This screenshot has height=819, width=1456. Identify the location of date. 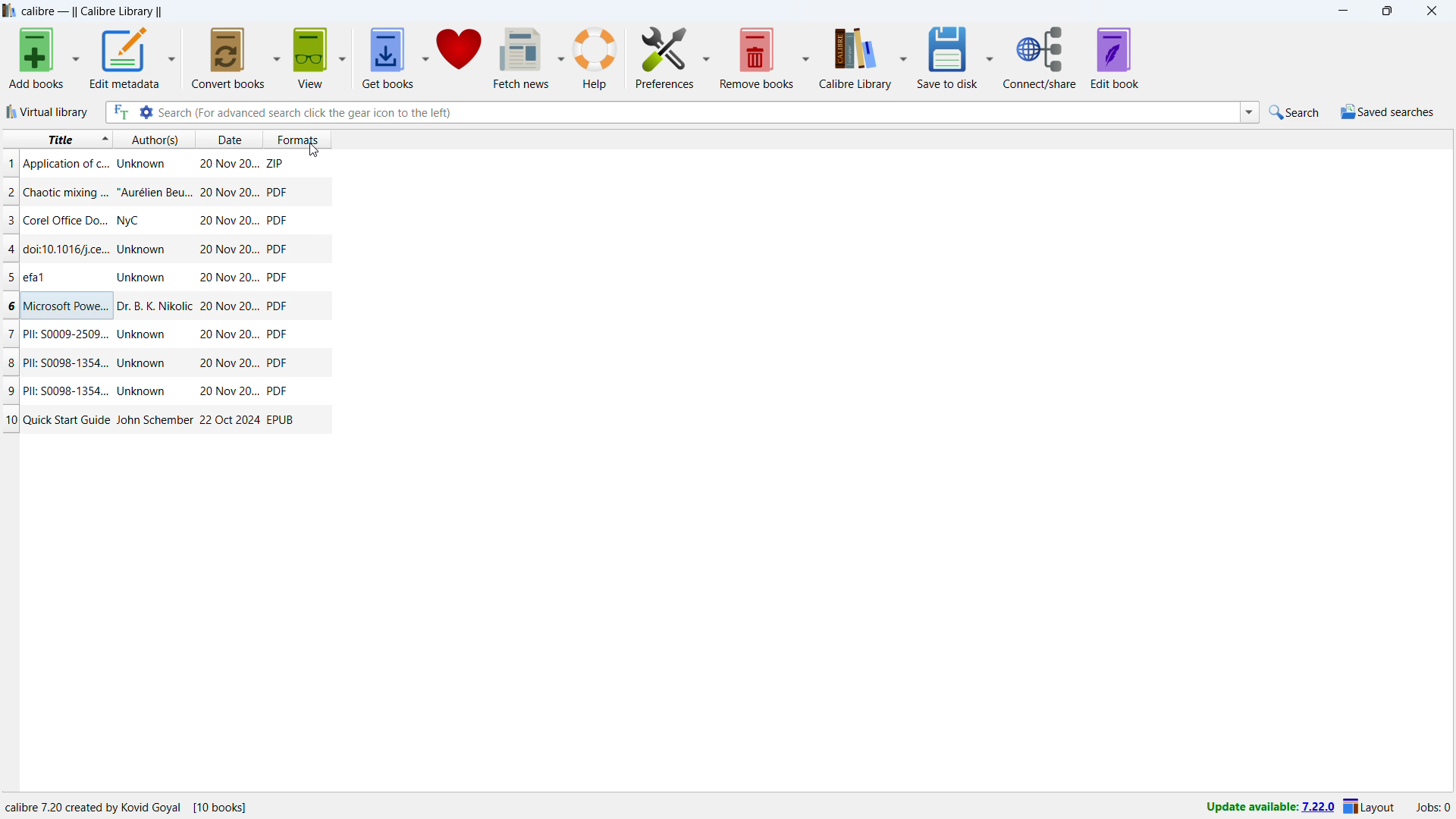
(230, 308).